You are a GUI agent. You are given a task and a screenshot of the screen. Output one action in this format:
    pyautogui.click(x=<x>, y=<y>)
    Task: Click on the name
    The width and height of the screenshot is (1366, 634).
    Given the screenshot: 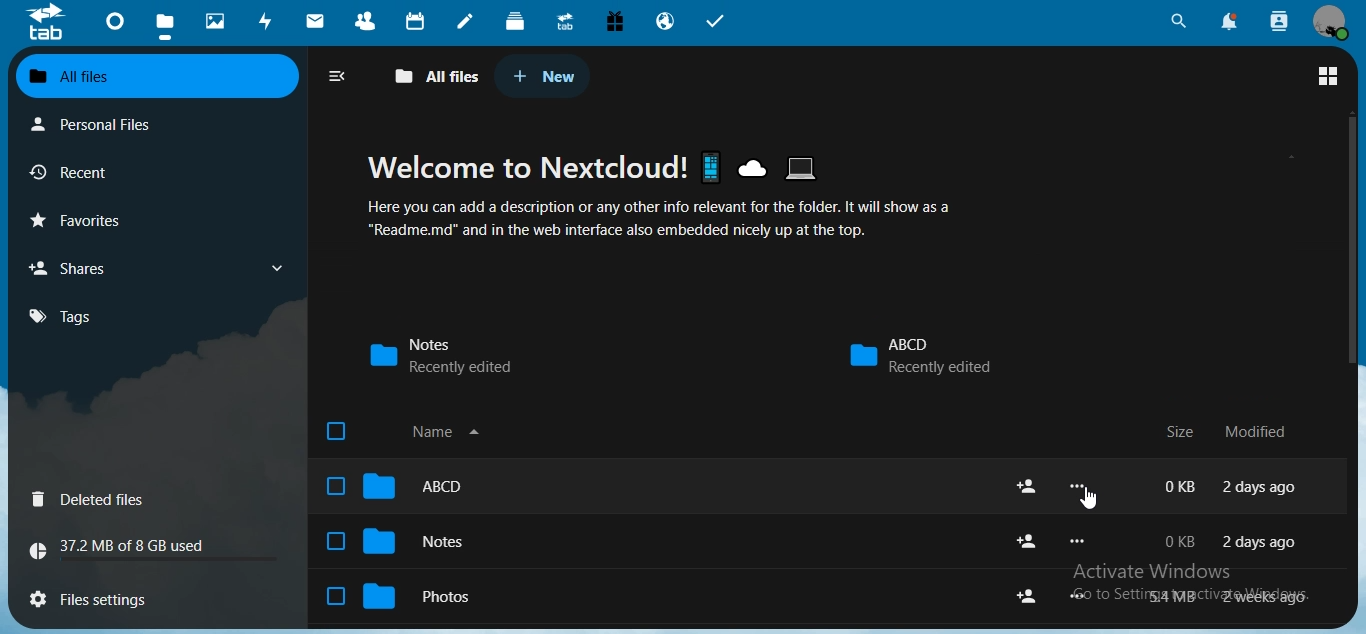 What is the action you would take?
    pyautogui.click(x=409, y=432)
    